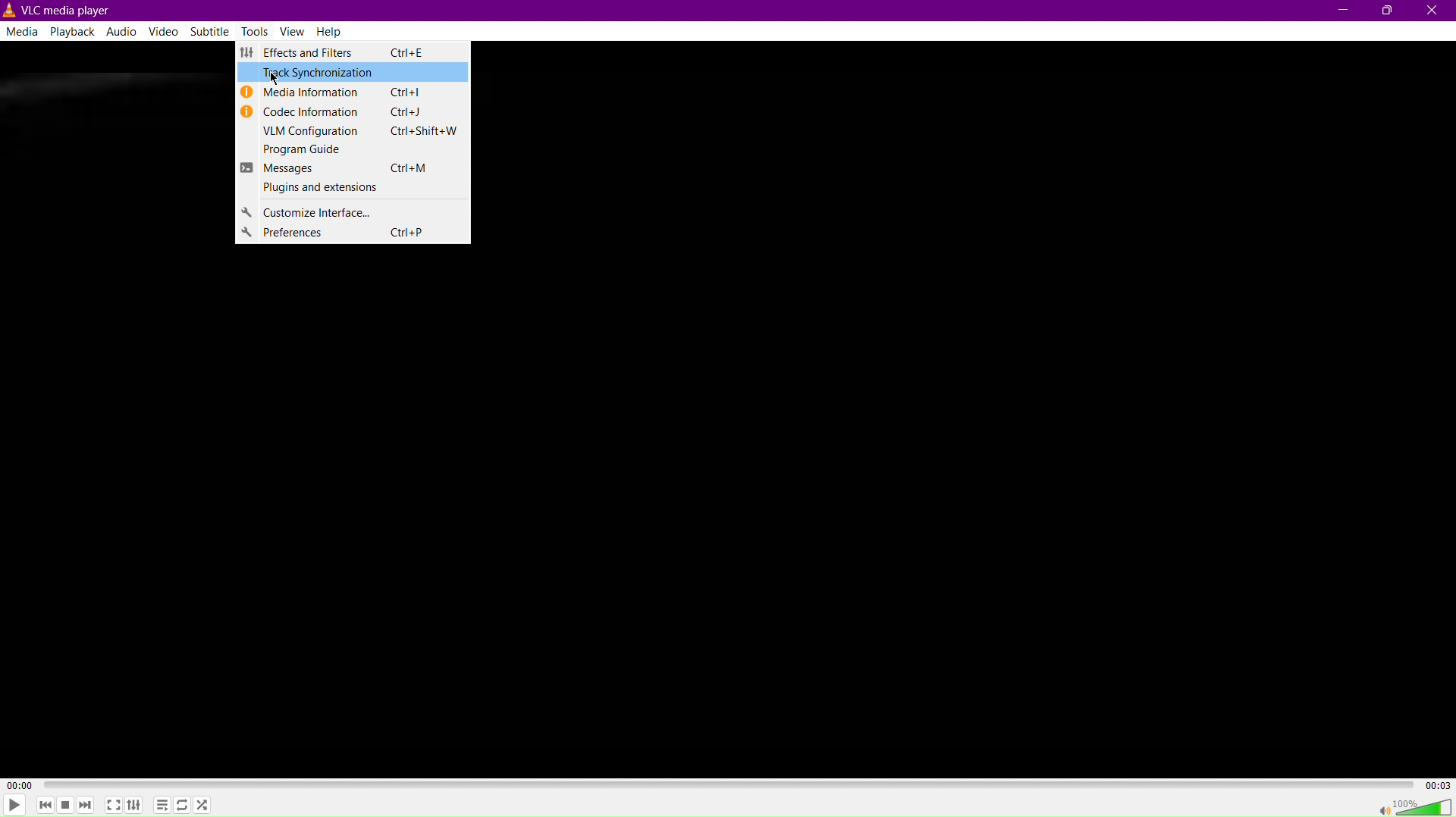 The width and height of the screenshot is (1456, 817). Describe the element at coordinates (23, 35) in the screenshot. I see `Media ` at that location.